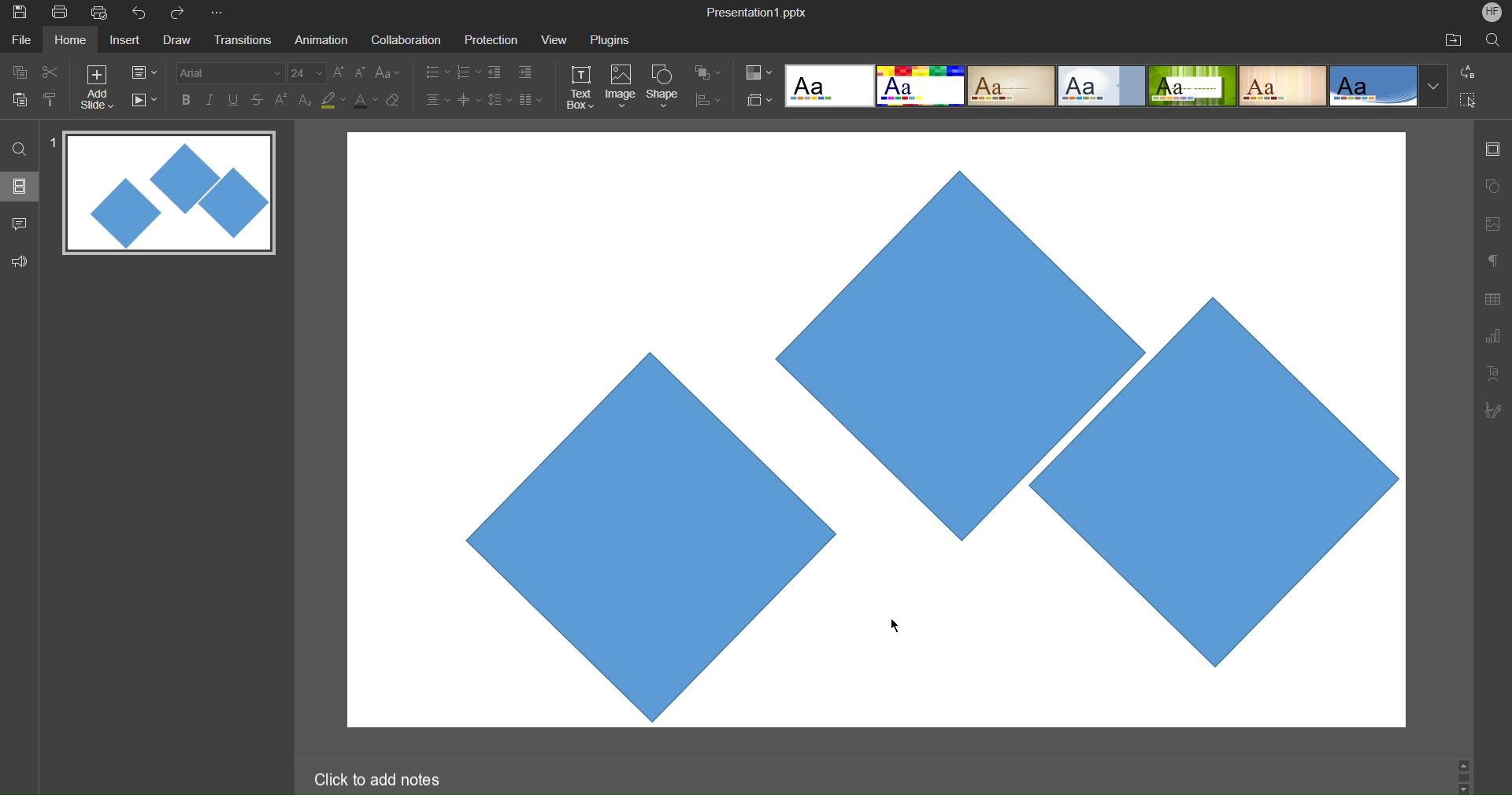  I want to click on select, so click(1474, 102).